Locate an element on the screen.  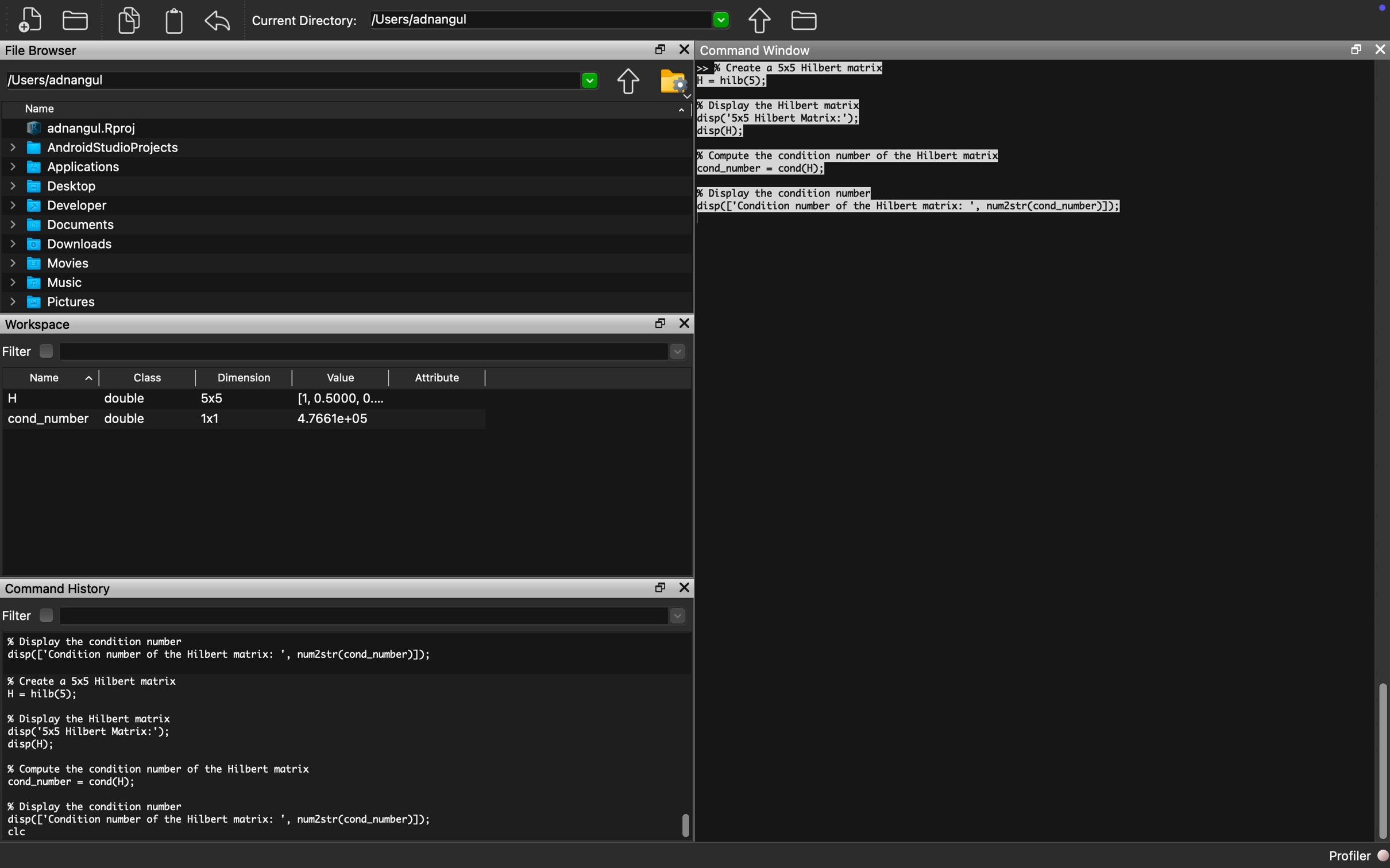
Open Folder is located at coordinates (75, 18).